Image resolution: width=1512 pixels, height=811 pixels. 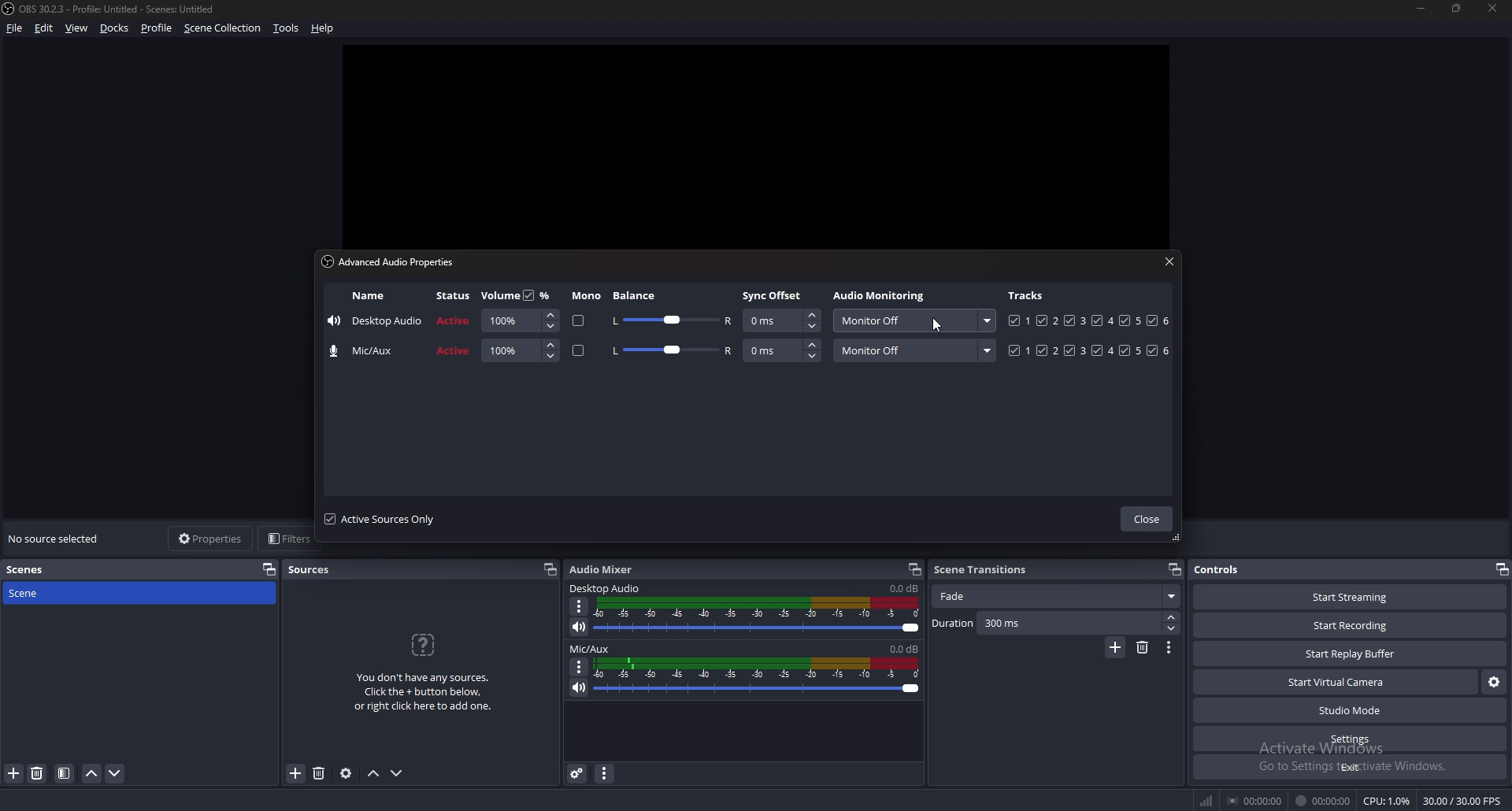 I want to click on settings, so click(x=1349, y=739).